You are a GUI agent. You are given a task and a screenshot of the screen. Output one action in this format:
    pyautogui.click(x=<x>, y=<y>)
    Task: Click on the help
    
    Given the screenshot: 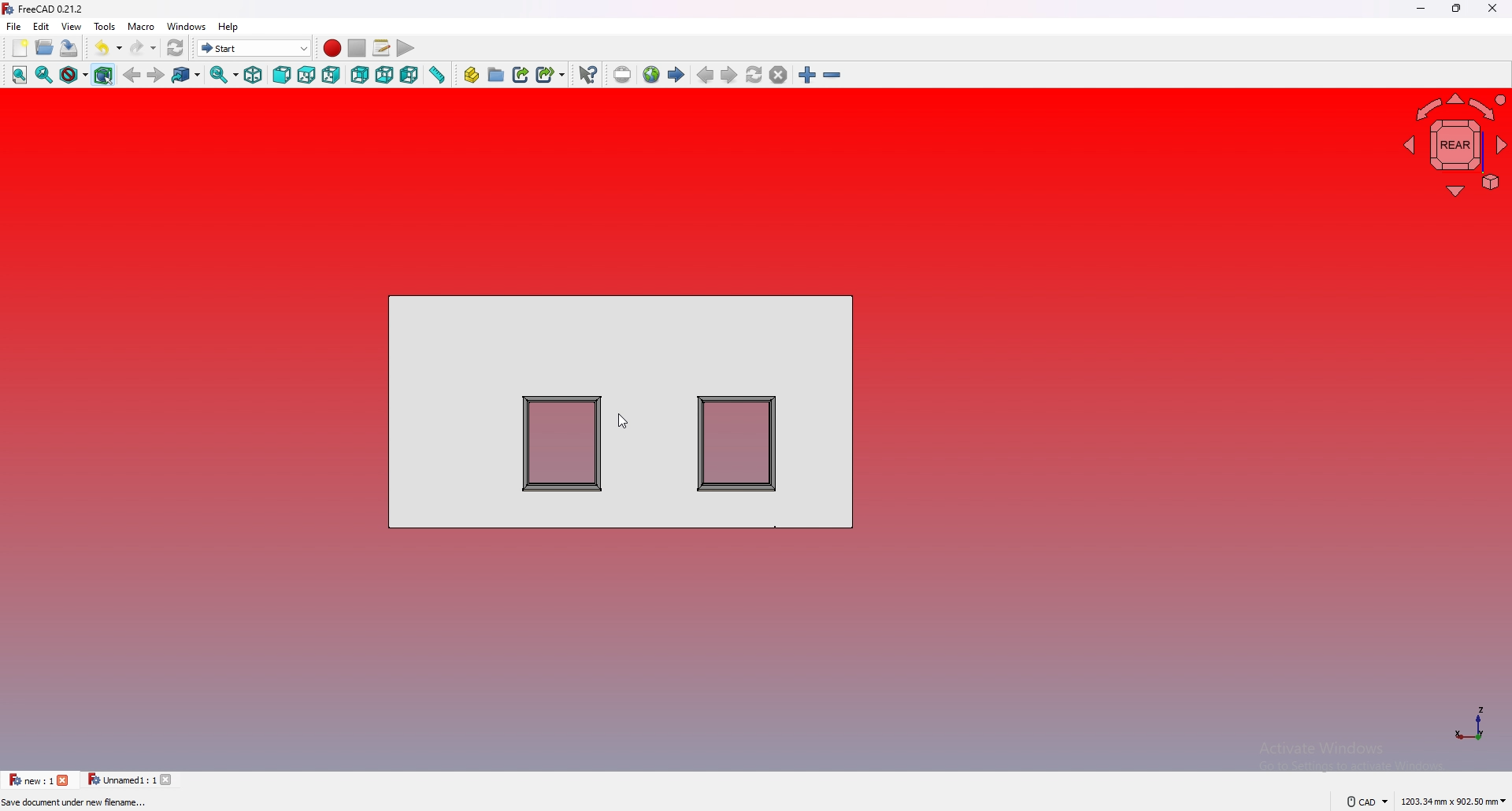 What is the action you would take?
    pyautogui.click(x=229, y=27)
    